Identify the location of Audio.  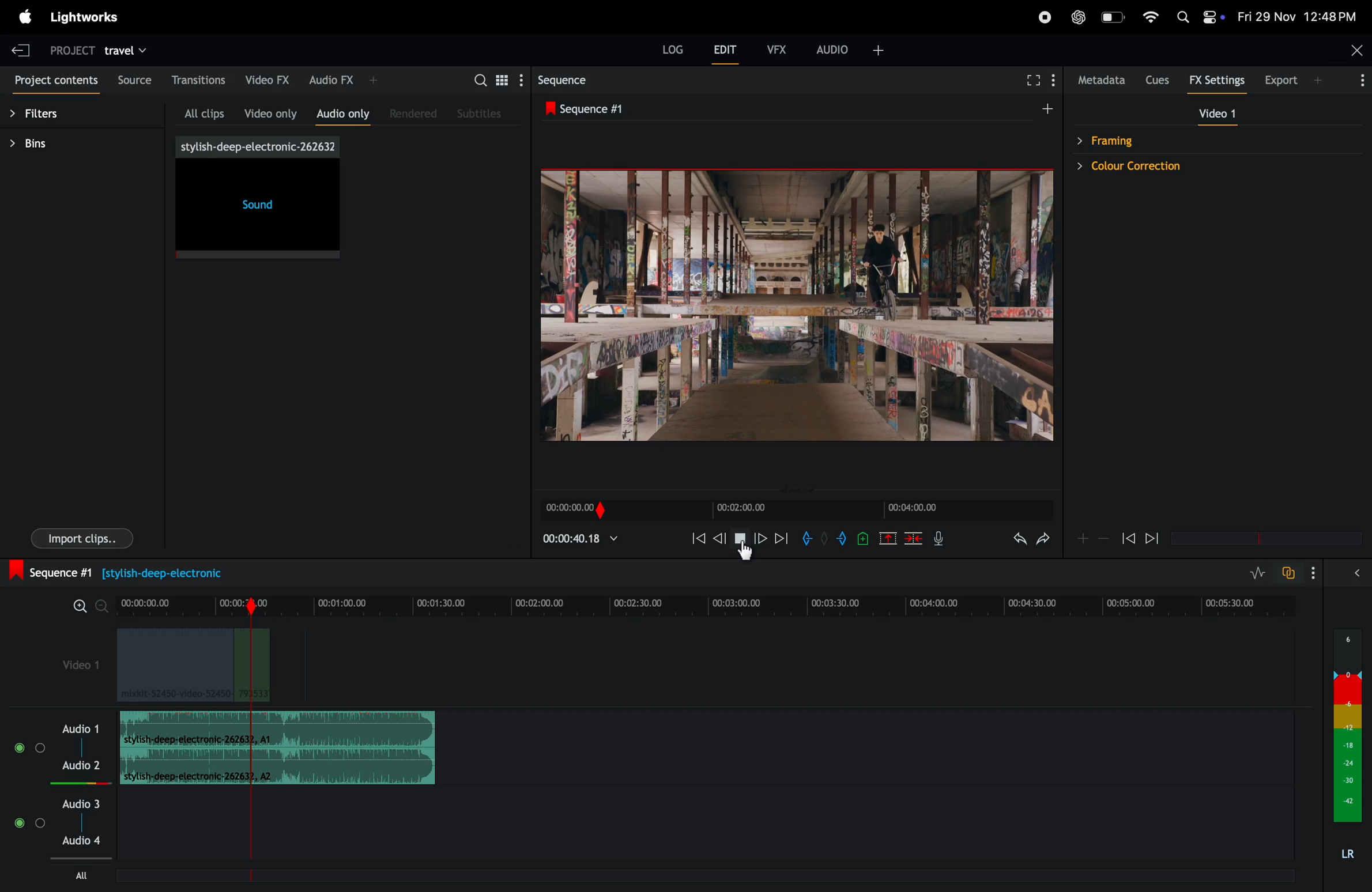
(79, 766).